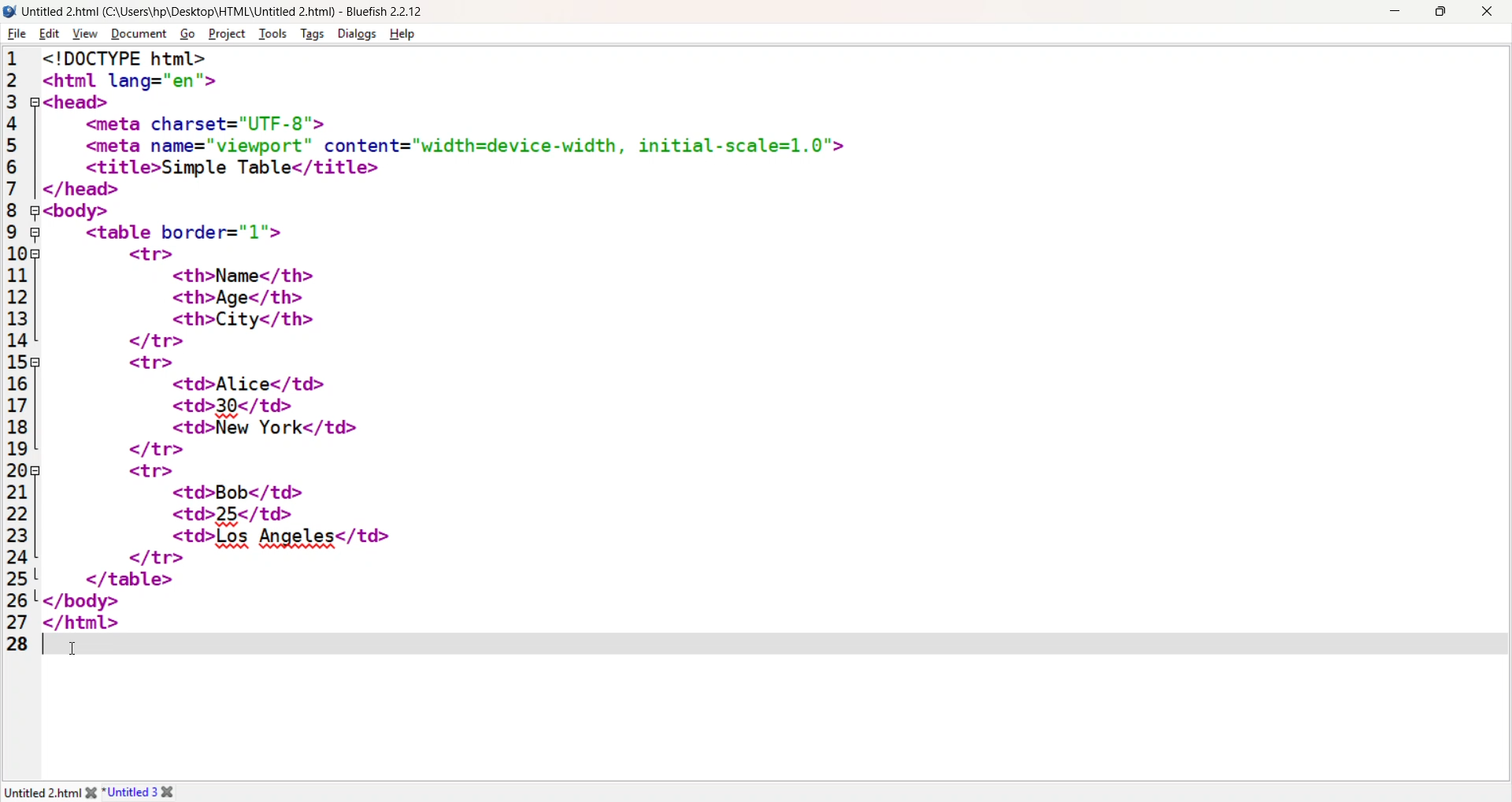  I want to click on Tags, so click(310, 34).